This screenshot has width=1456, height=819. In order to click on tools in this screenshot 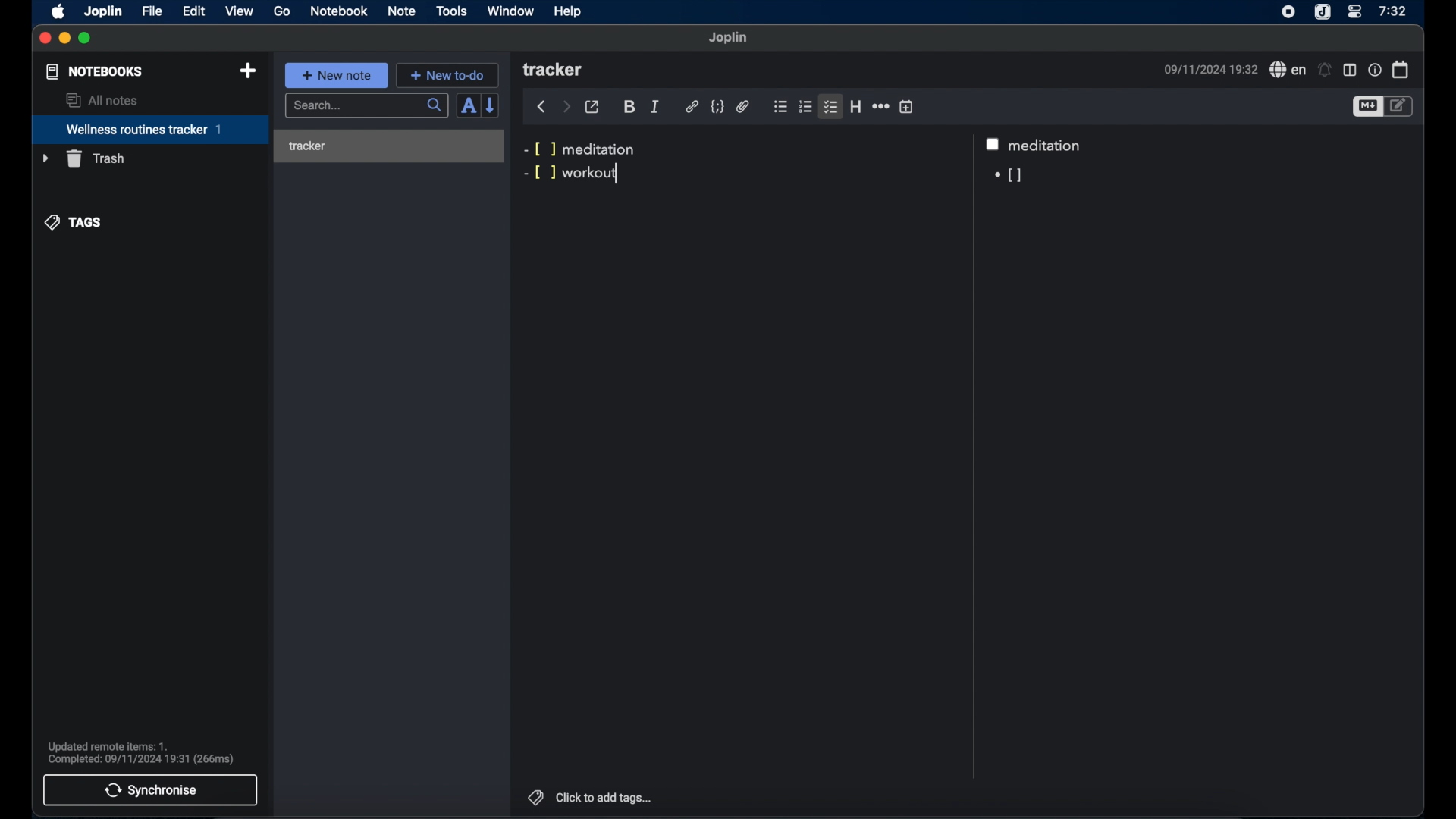, I will do `click(452, 11)`.